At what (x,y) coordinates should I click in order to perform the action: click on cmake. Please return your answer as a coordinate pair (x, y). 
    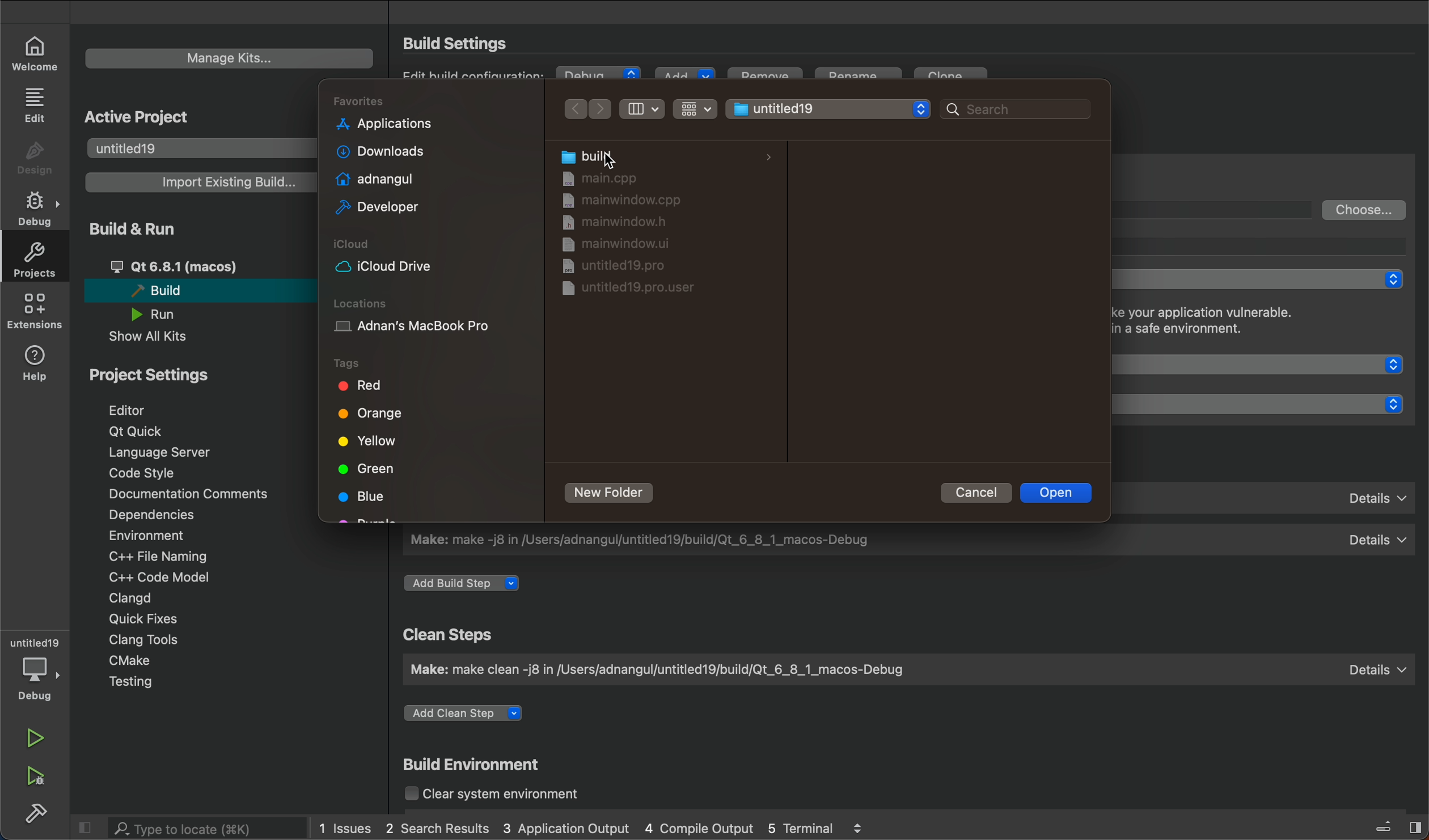
    Looking at the image, I should click on (137, 662).